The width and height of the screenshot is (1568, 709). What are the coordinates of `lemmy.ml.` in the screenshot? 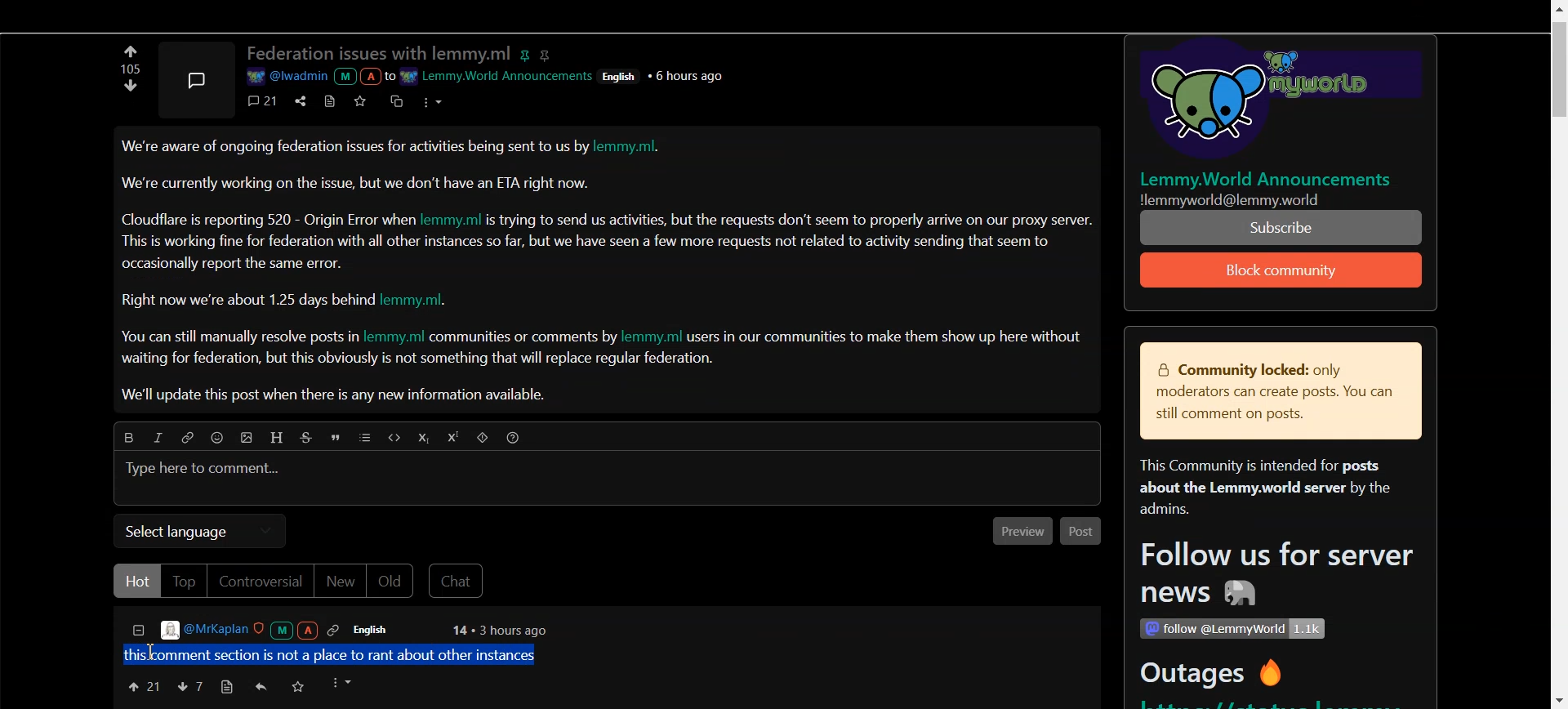 It's located at (423, 301).